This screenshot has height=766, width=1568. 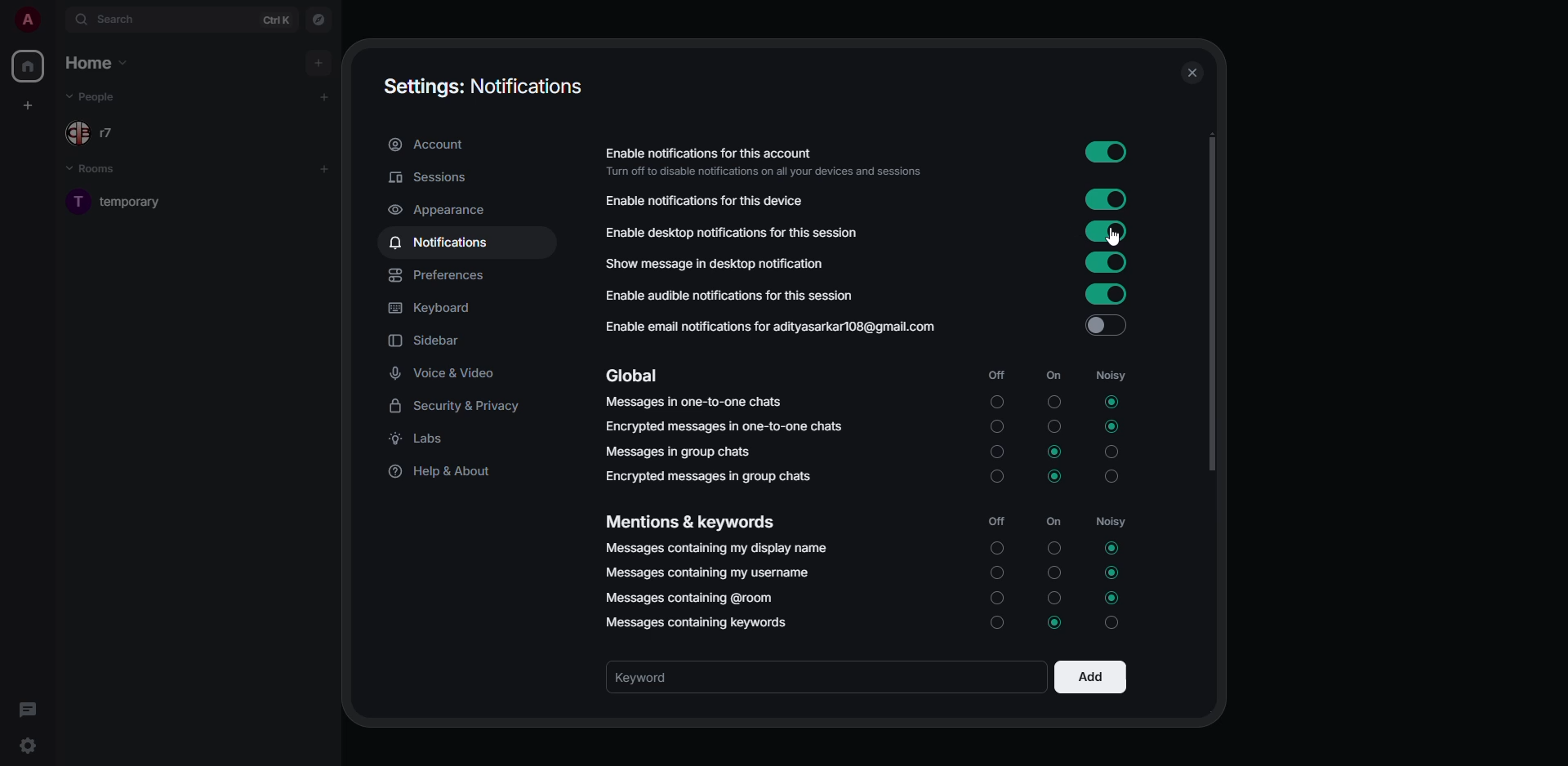 What do you see at coordinates (1054, 572) in the screenshot?
I see `On Unselected` at bounding box center [1054, 572].